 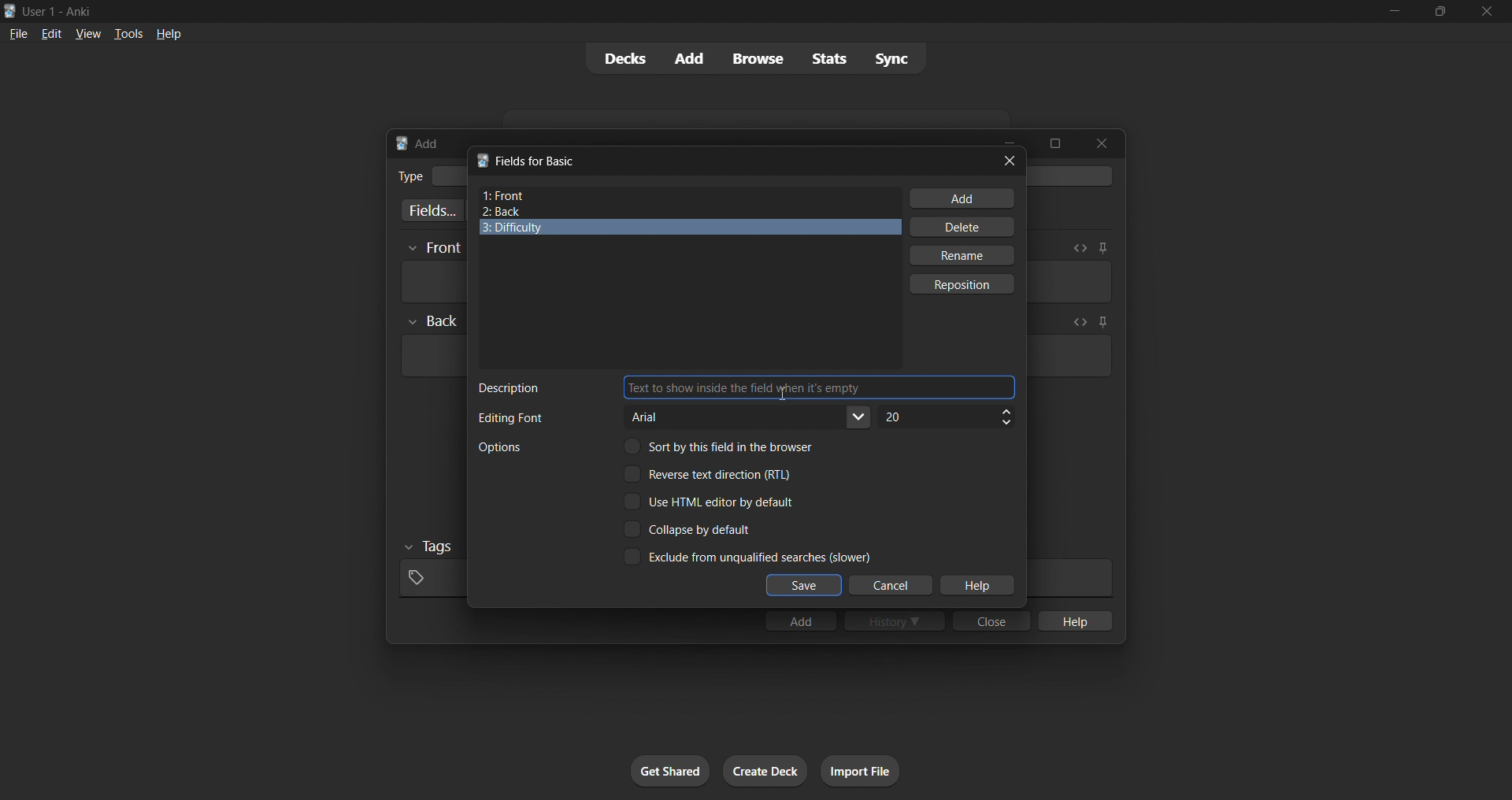 I want to click on help, so click(x=1073, y=620).